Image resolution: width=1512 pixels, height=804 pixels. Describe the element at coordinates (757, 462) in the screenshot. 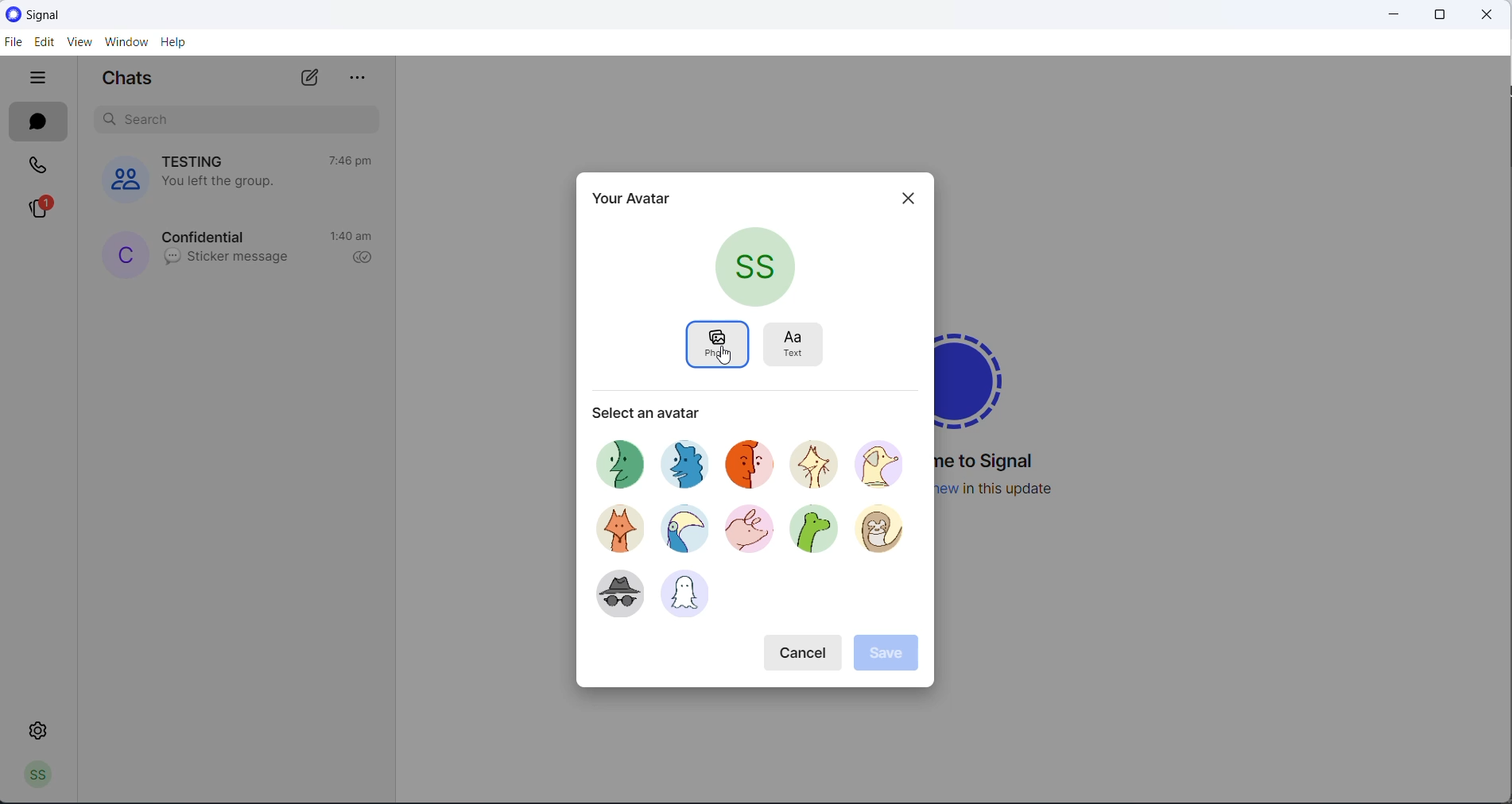

I see `avatar` at that location.